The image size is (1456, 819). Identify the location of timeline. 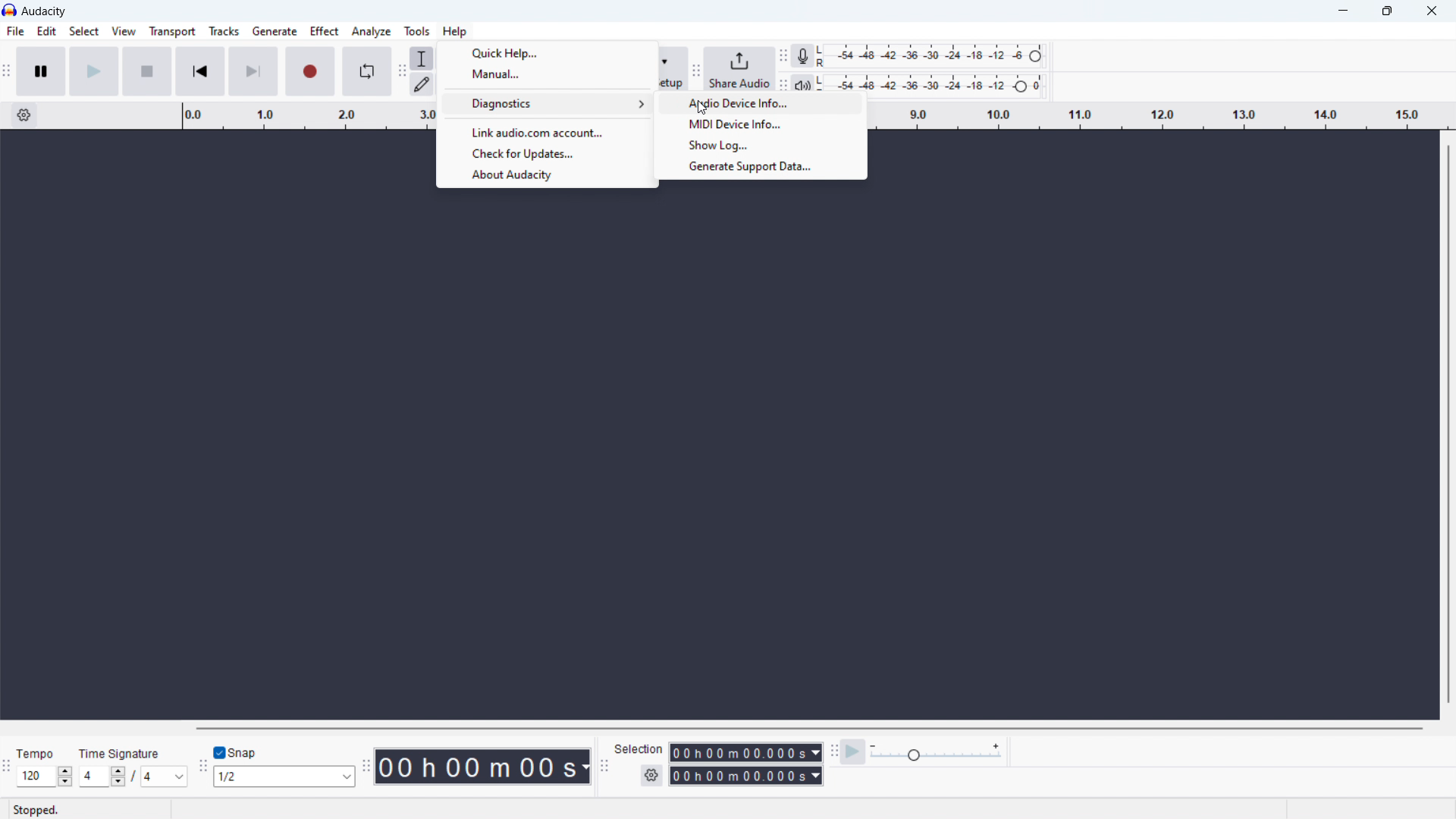
(298, 115).